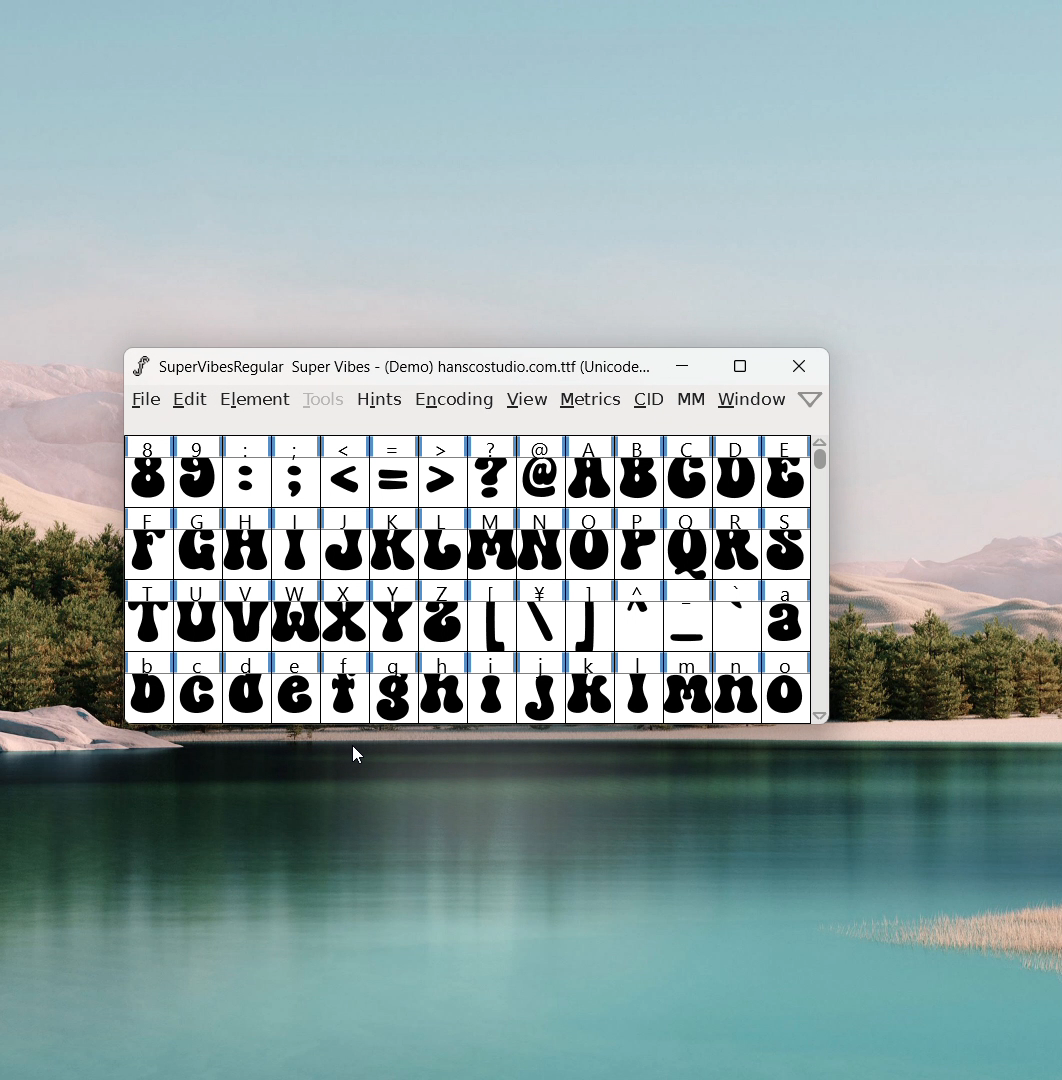 The image size is (1062, 1080). Describe the element at coordinates (296, 616) in the screenshot. I see `W` at that location.